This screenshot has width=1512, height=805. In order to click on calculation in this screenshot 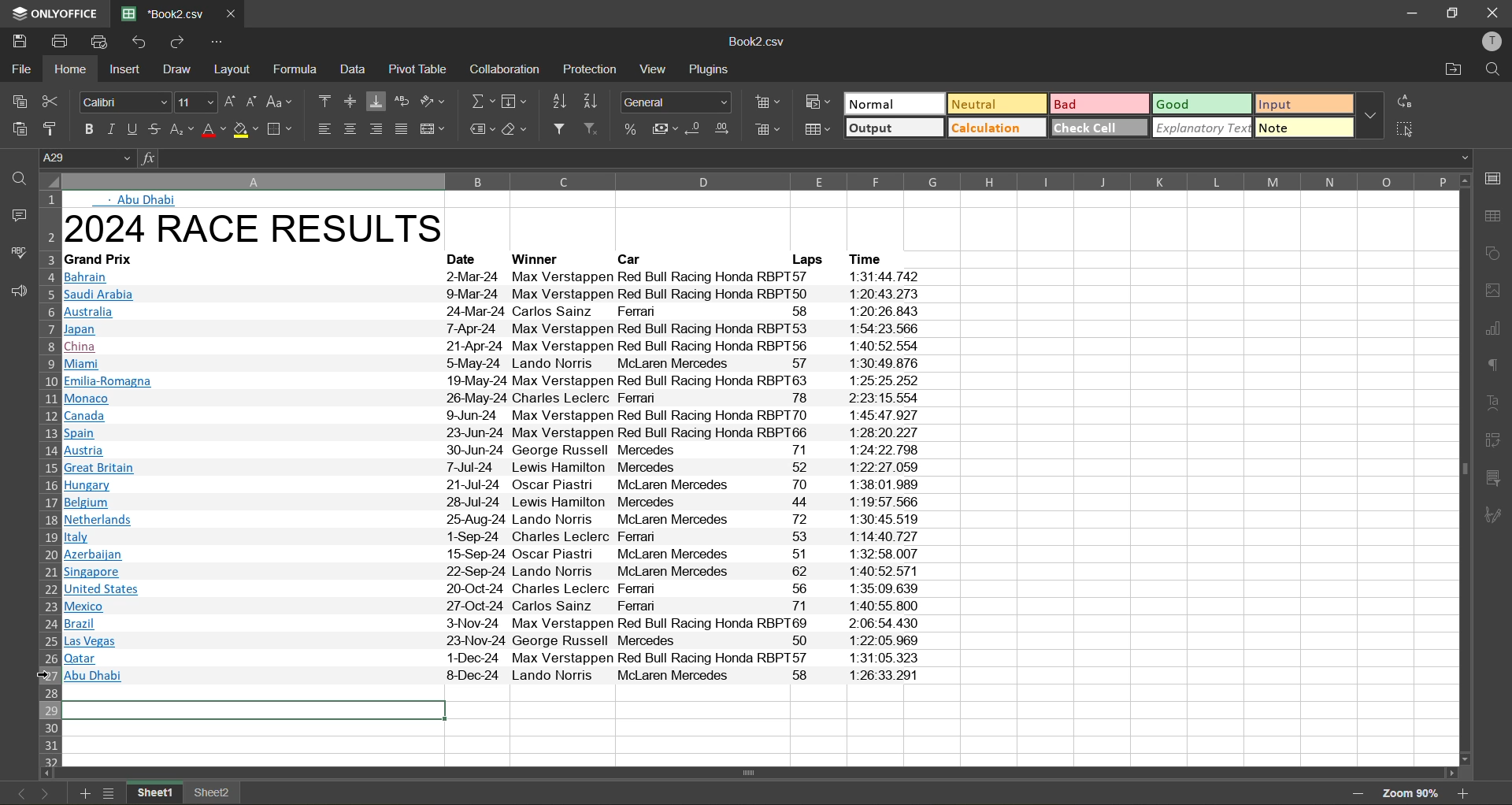, I will do `click(998, 128)`.